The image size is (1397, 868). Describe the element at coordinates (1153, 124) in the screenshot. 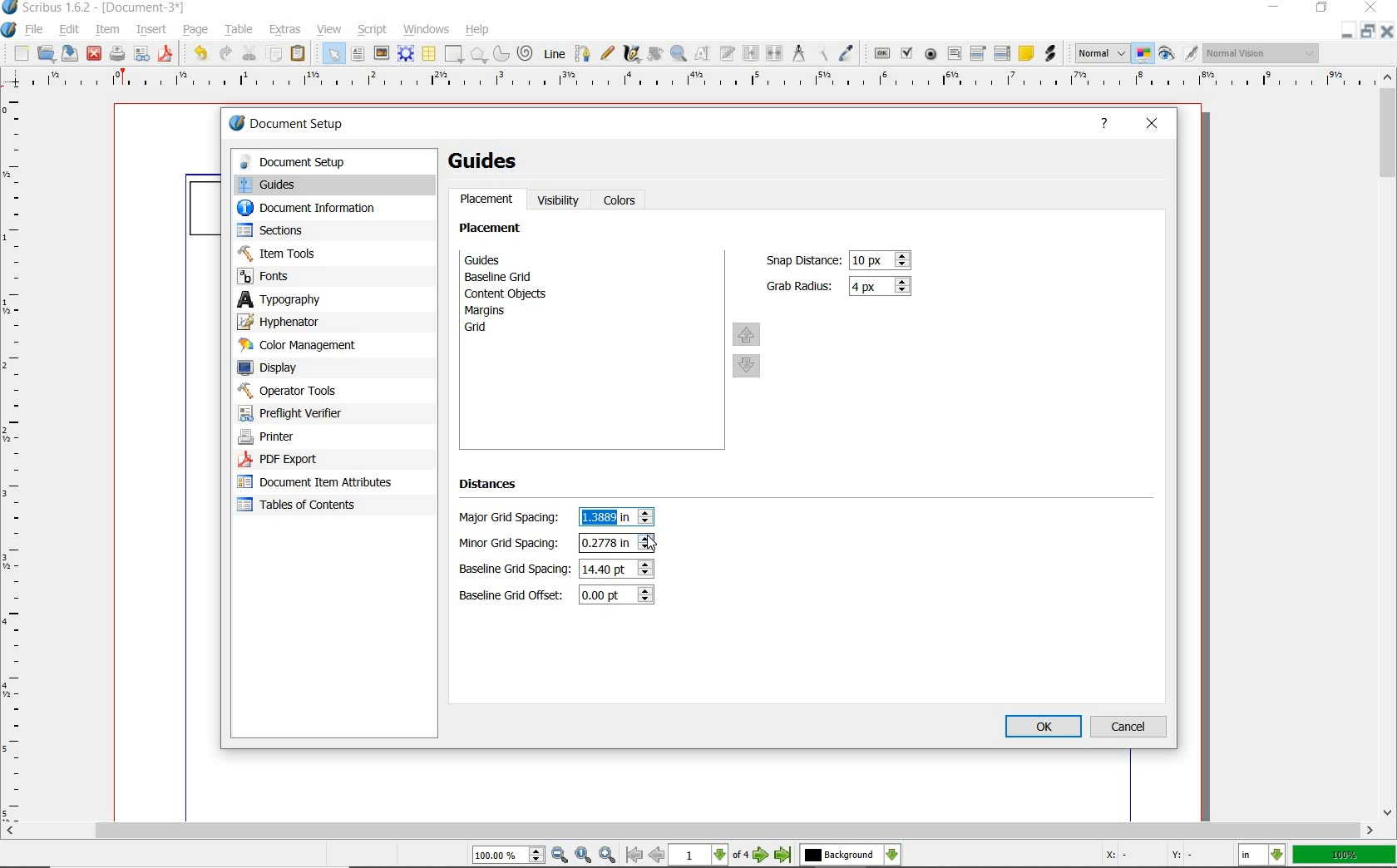

I see `close` at that location.